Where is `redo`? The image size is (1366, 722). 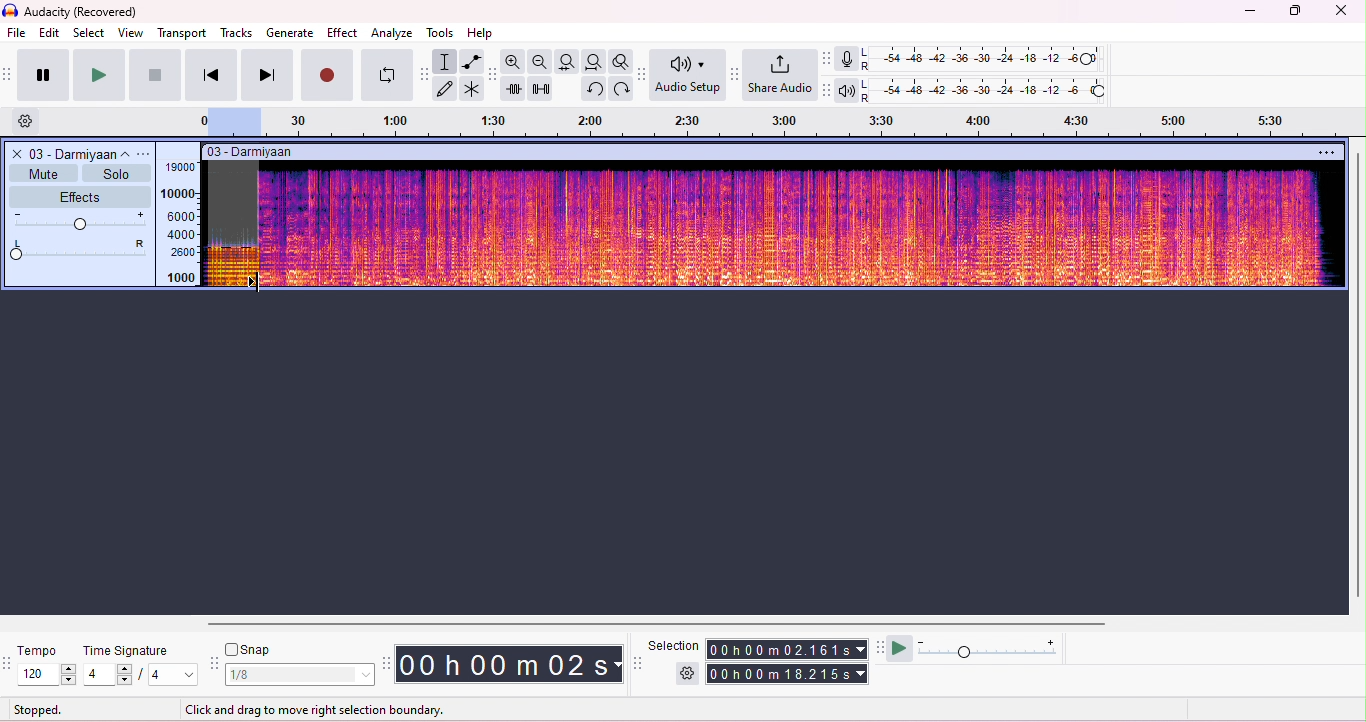 redo is located at coordinates (623, 89).